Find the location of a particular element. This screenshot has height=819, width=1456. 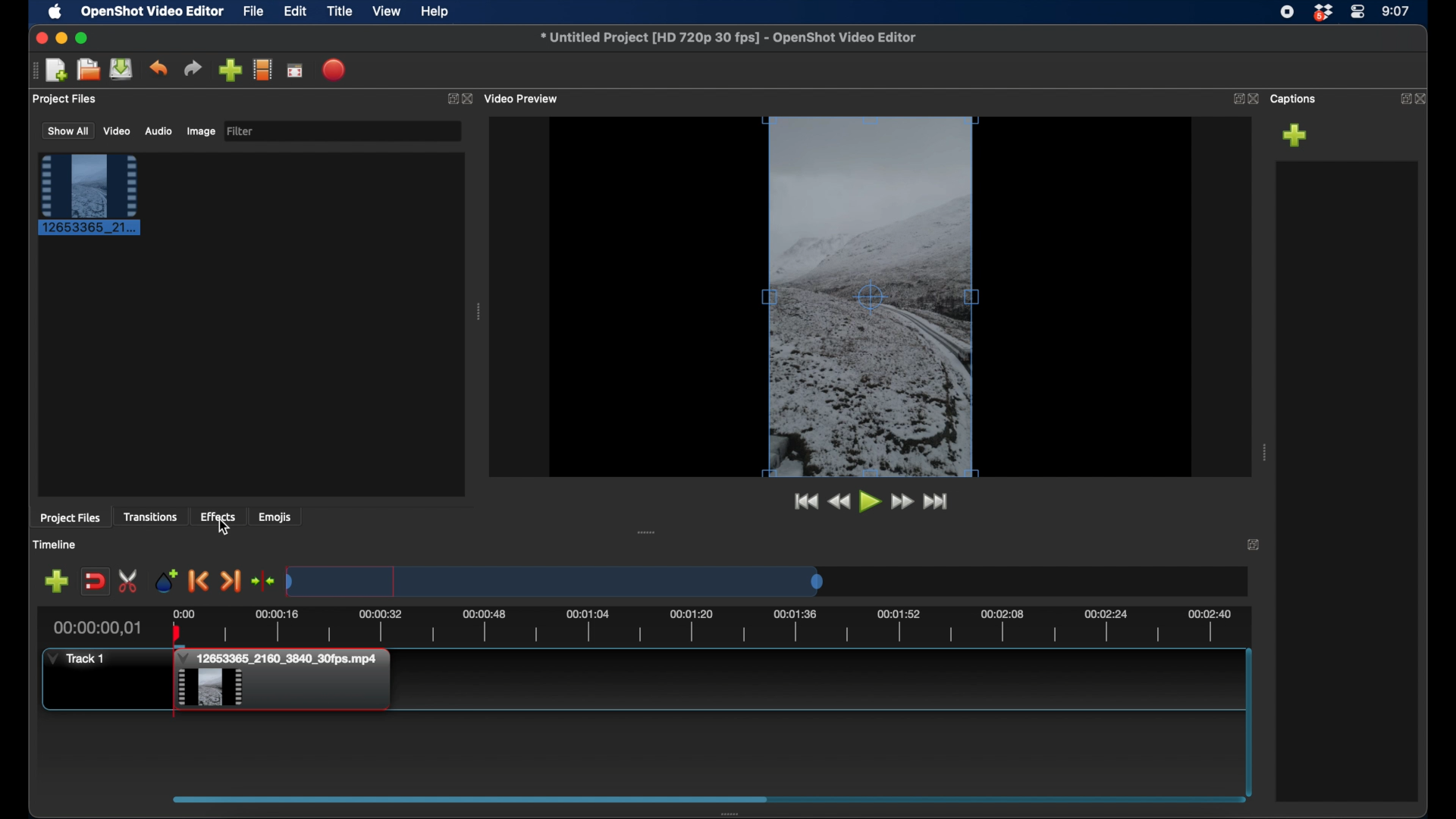

transitions is located at coordinates (152, 516).